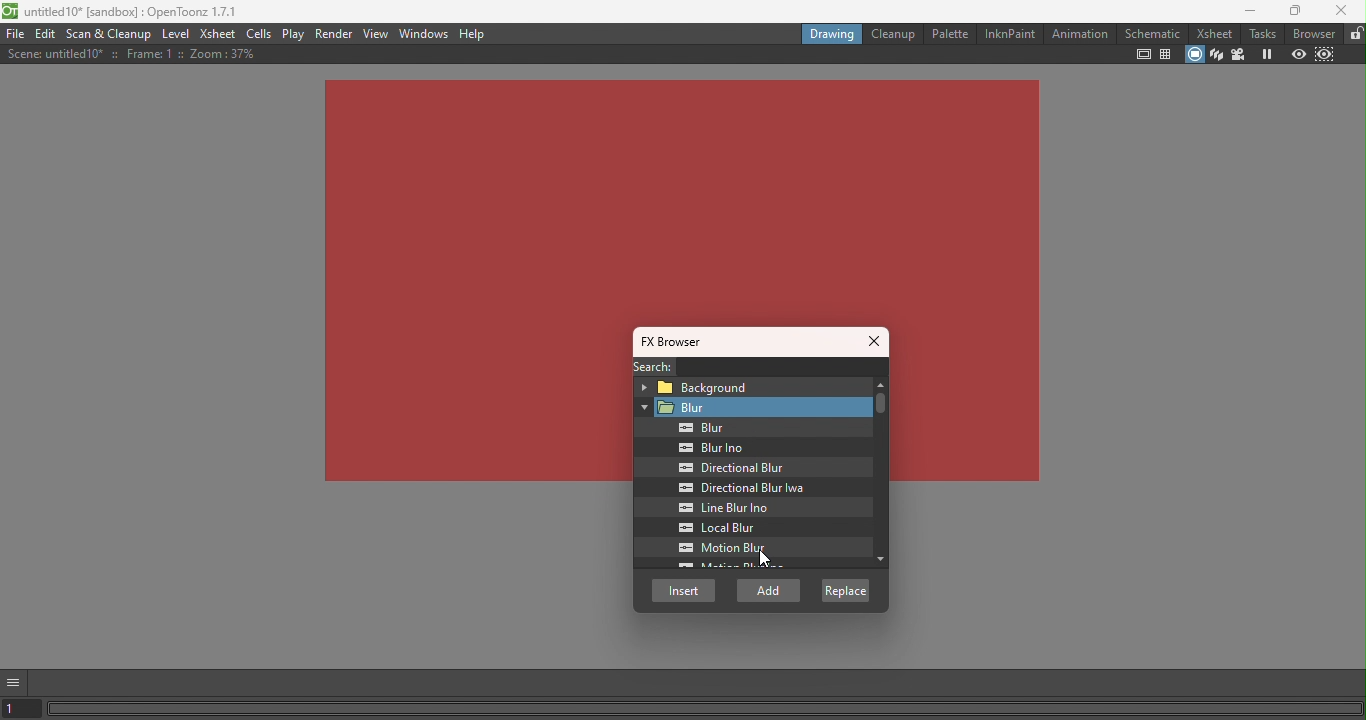 This screenshot has height=720, width=1366. I want to click on Search bar, so click(785, 367).